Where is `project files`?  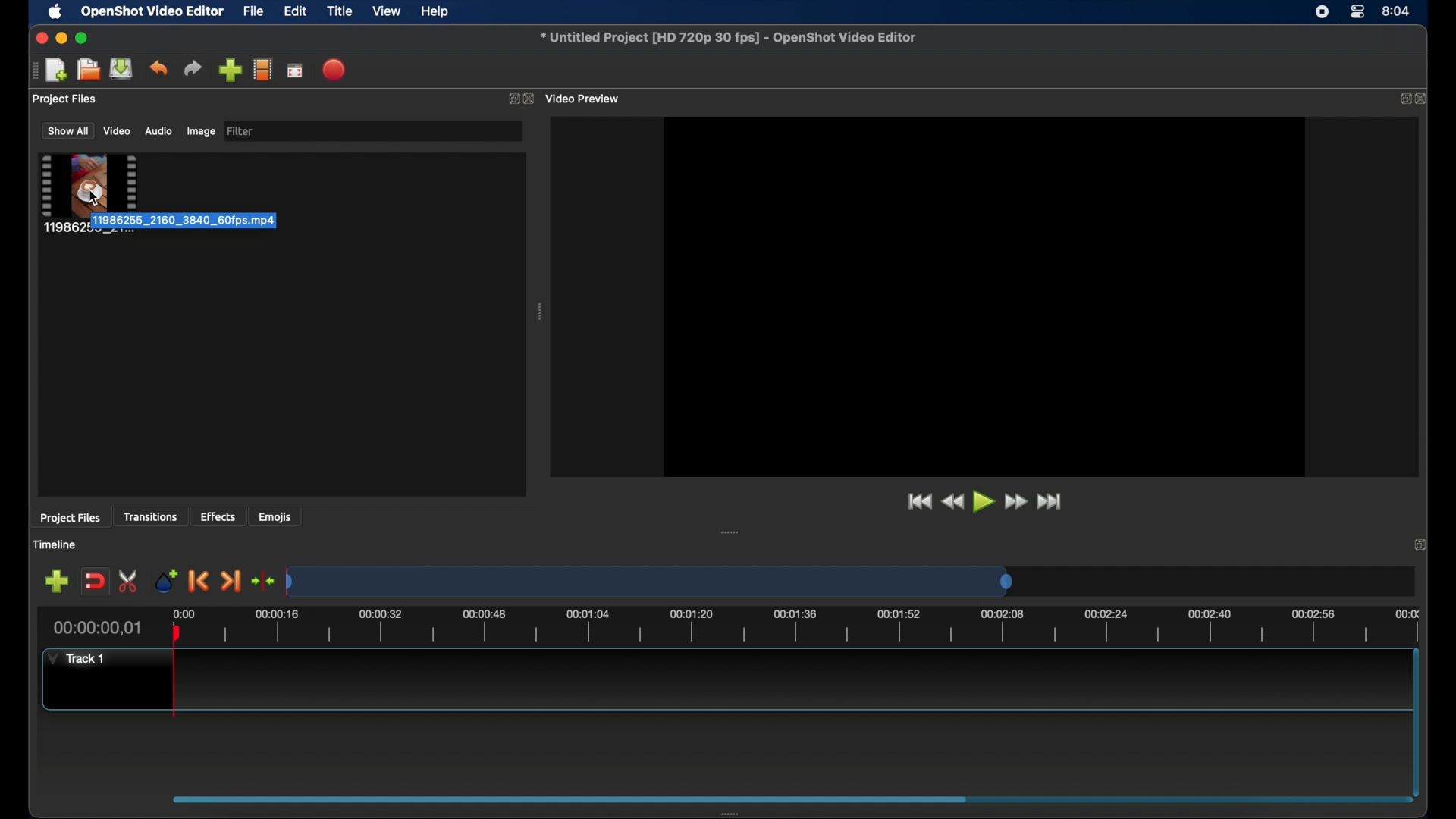
project files is located at coordinates (66, 99).